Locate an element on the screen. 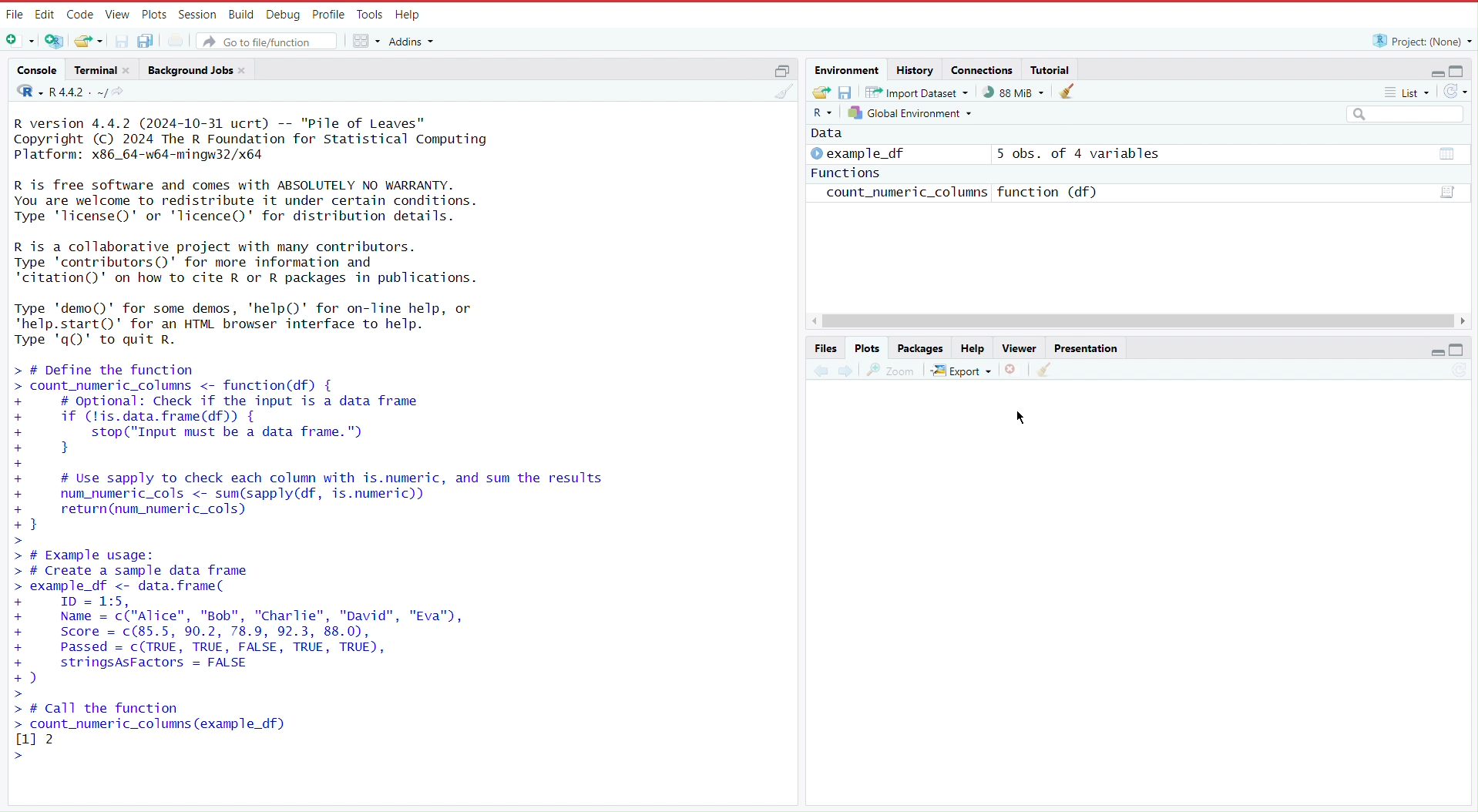  R is located at coordinates (825, 113).